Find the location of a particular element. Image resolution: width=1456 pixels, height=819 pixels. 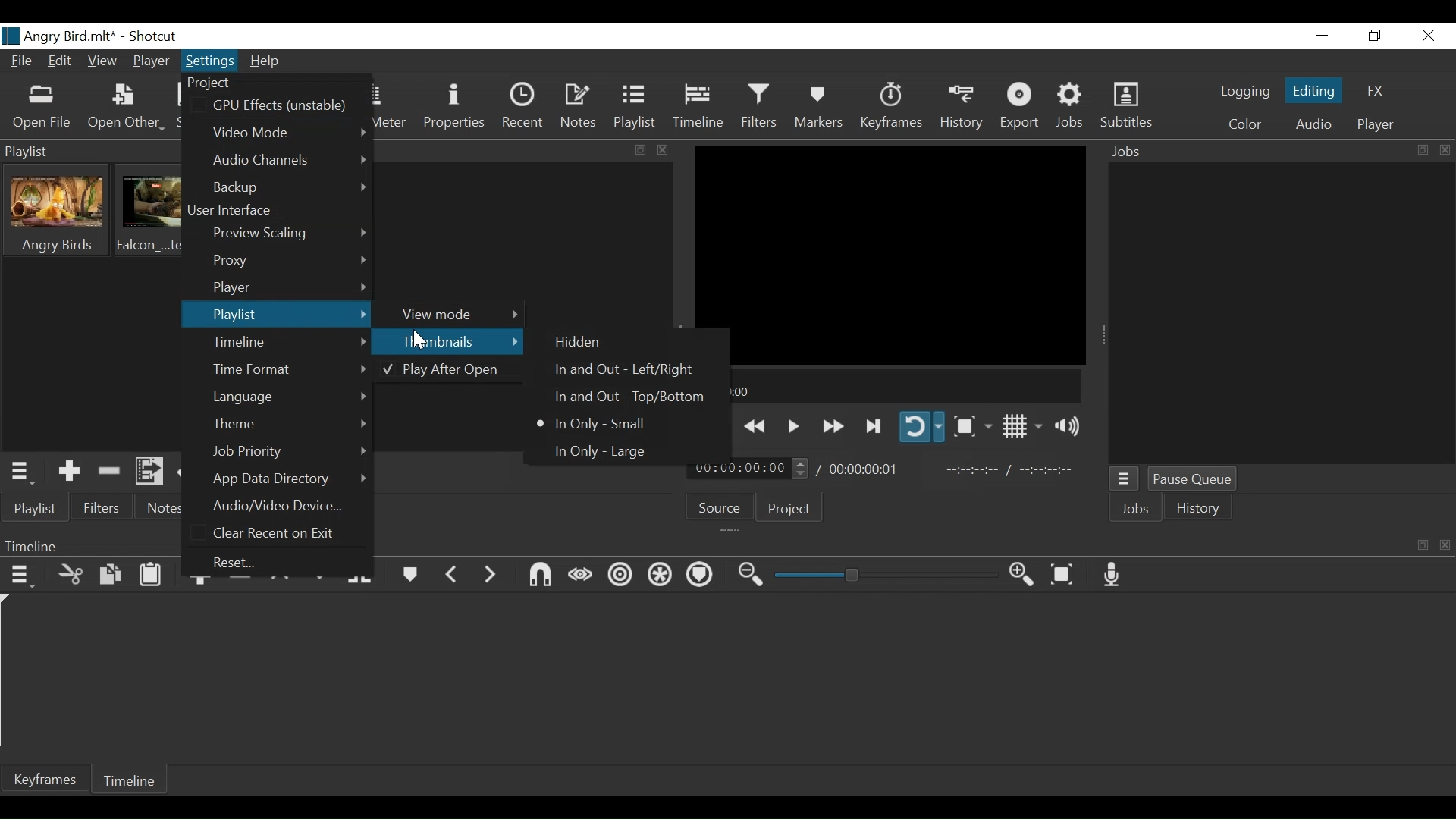

Recent is located at coordinates (522, 108).